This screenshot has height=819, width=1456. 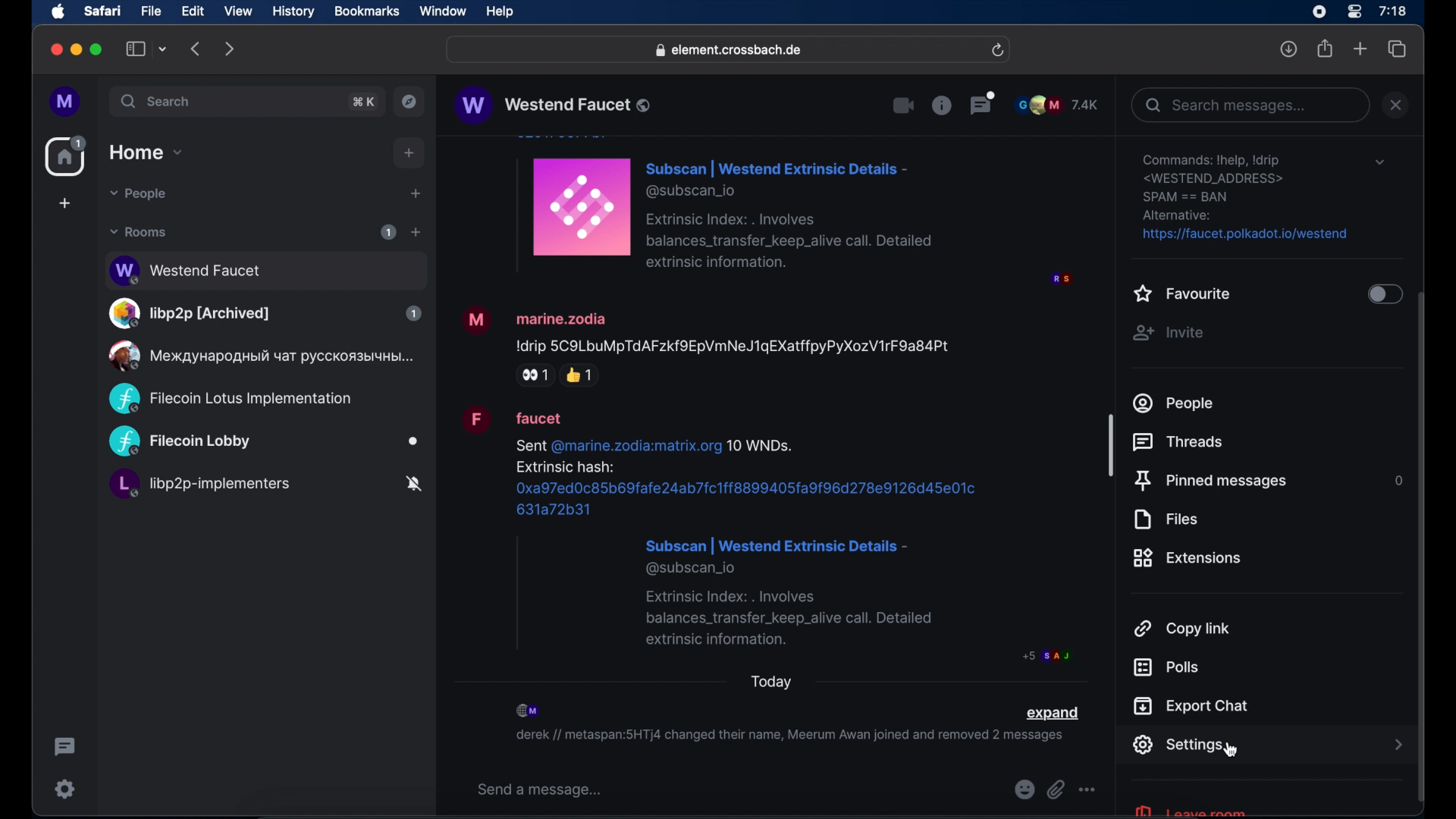 What do you see at coordinates (230, 399) in the screenshot?
I see `public room` at bounding box center [230, 399].